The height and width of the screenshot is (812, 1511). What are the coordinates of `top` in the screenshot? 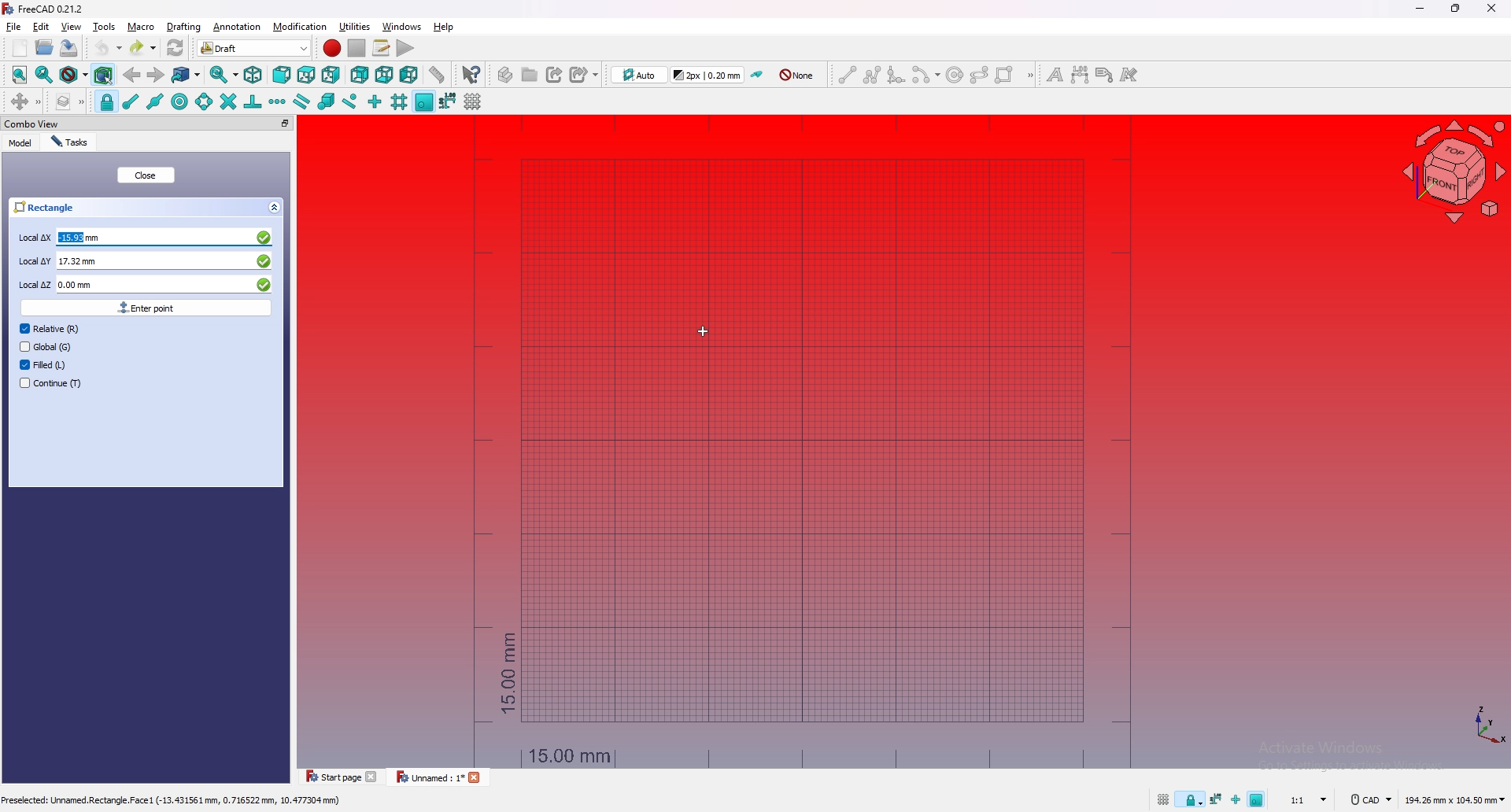 It's located at (306, 75).